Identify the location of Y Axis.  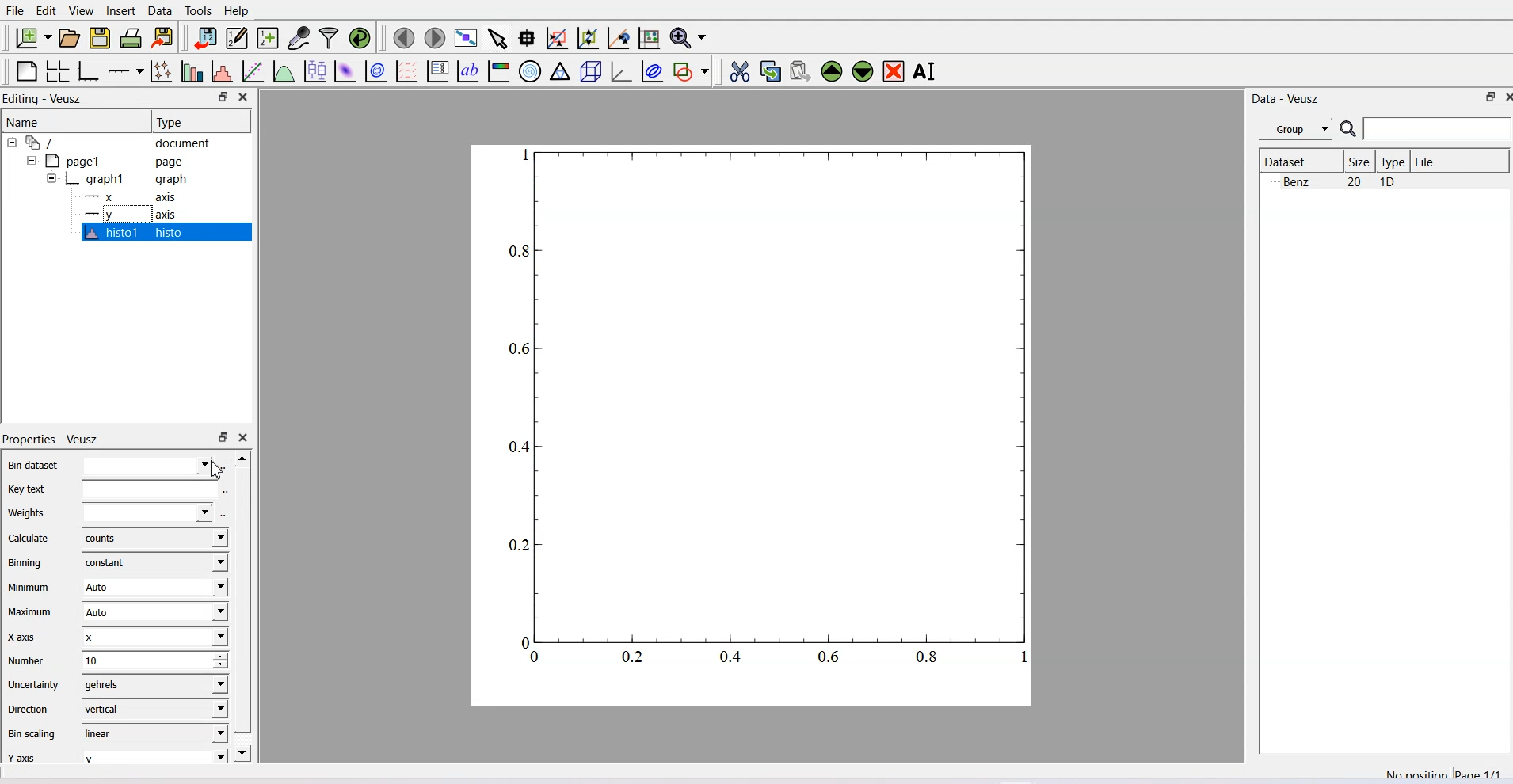
(136, 214).